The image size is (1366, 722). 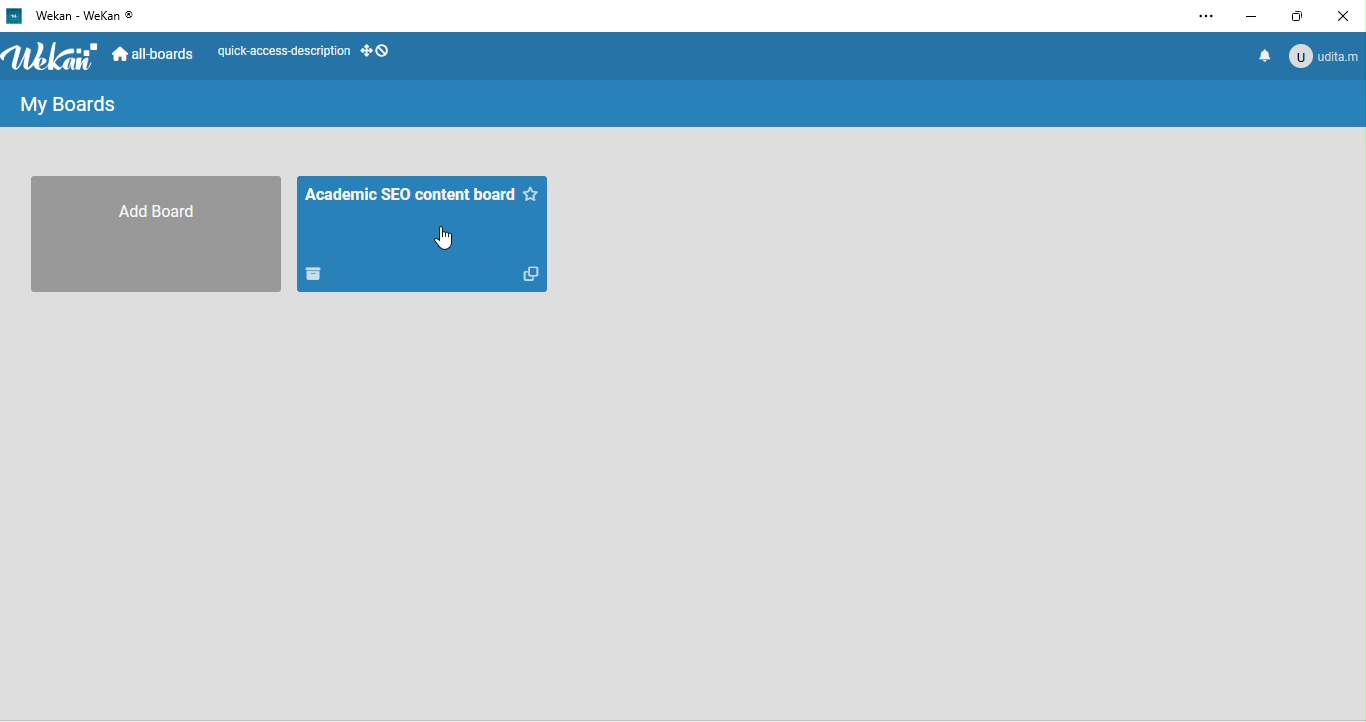 What do you see at coordinates (438, 241) in the screenshot?
I see `cursor` at bounding box center [438, 241].